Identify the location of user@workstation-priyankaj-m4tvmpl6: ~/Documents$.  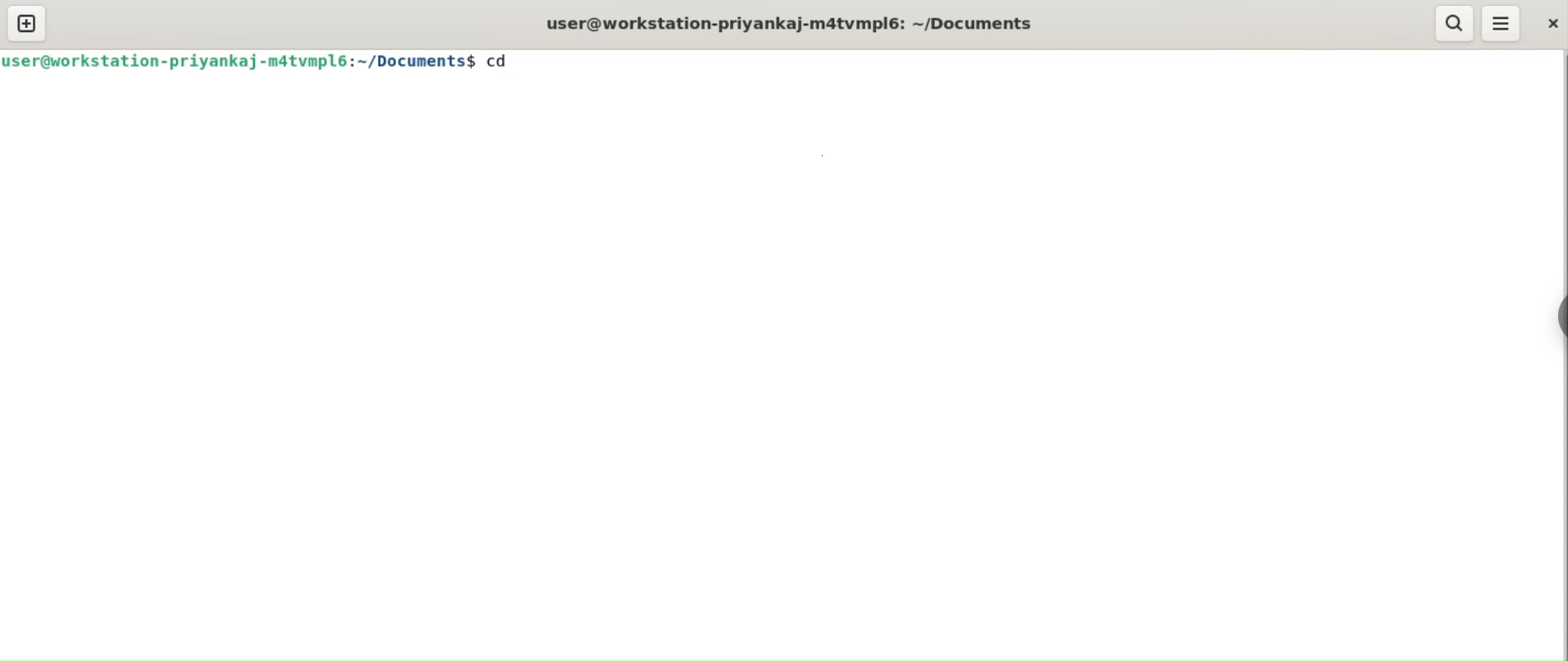
(239, 60).